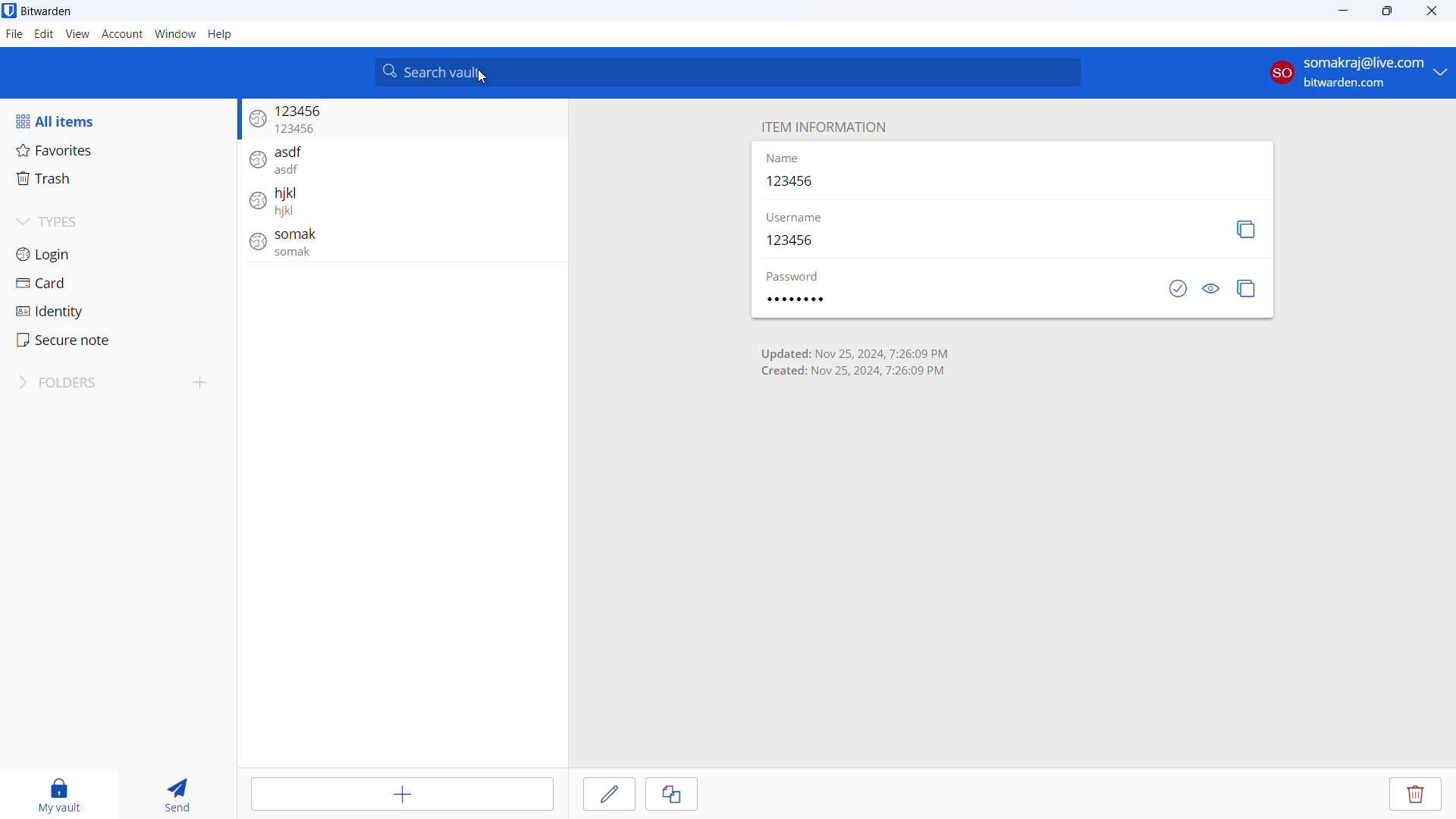 The image size is (1456, 819). What do you see at coordinates (94, 383) in the screenshot?
I see `folders` at bounding box center [94, 383].